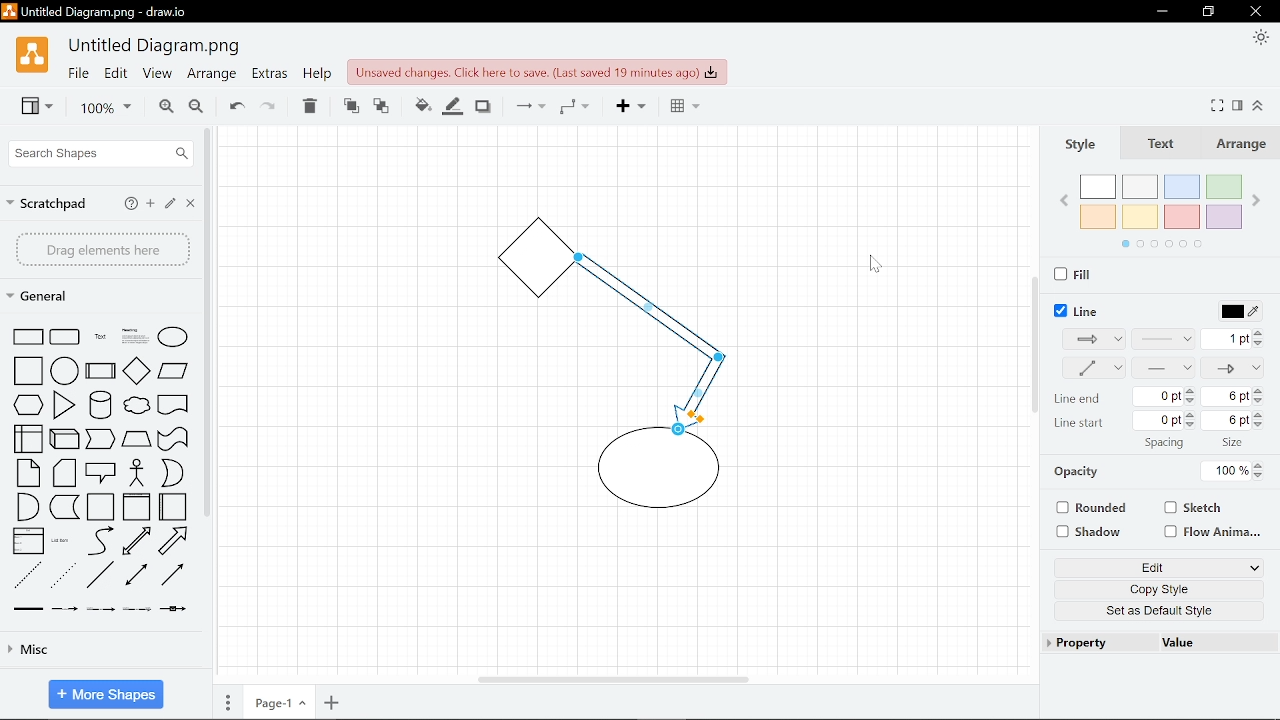 Image resolution: width=1280 pixels, height=720 pixels. I want to click on Way points, so click(1092, 337).